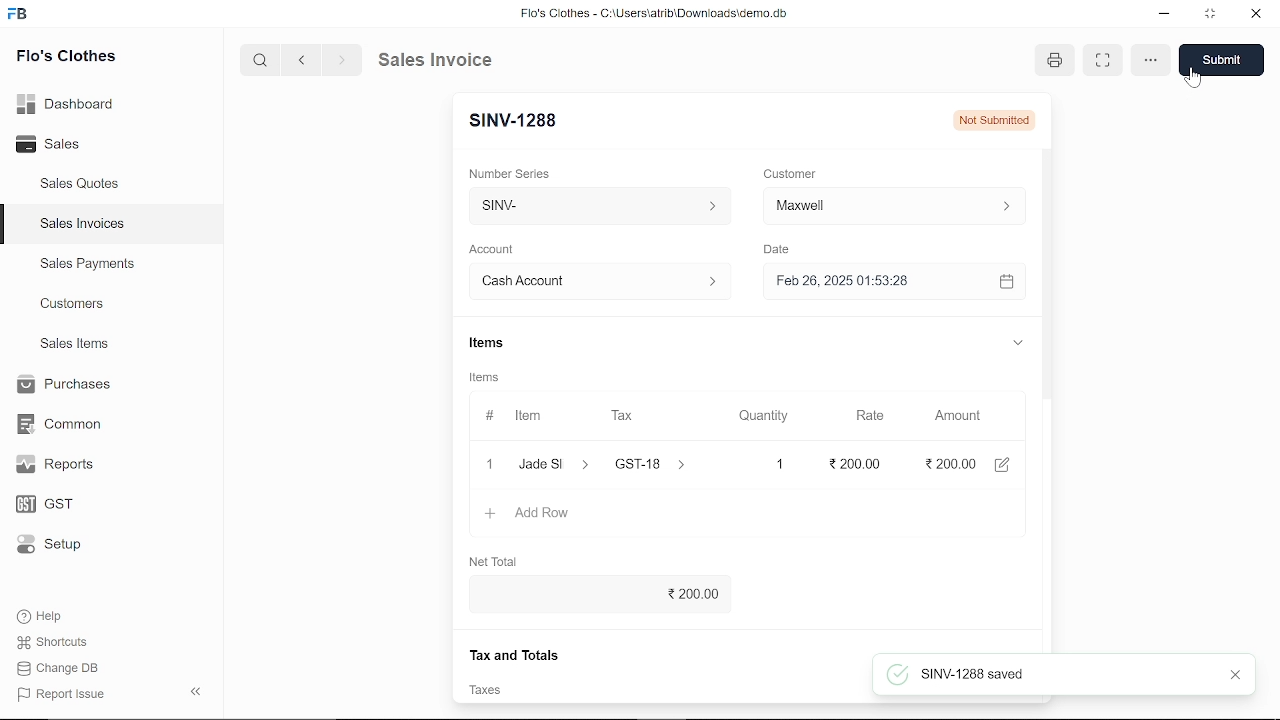  I want to click on | Report Issue:, so click(64, 694).